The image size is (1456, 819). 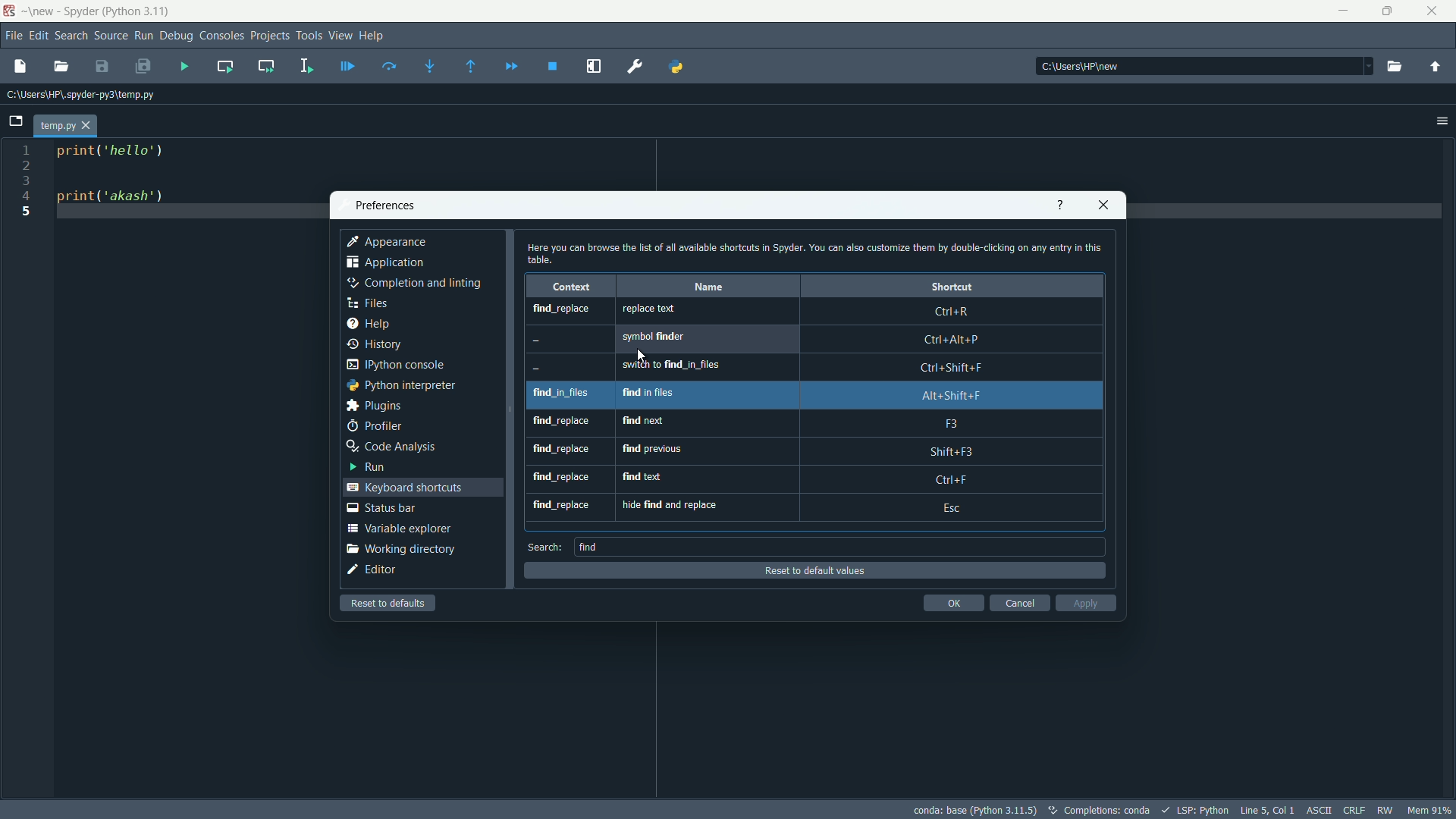 What do you see at coordinates (1020, 604) in the screenshot?
I see `cancel` at bounding box center [1020, 604].